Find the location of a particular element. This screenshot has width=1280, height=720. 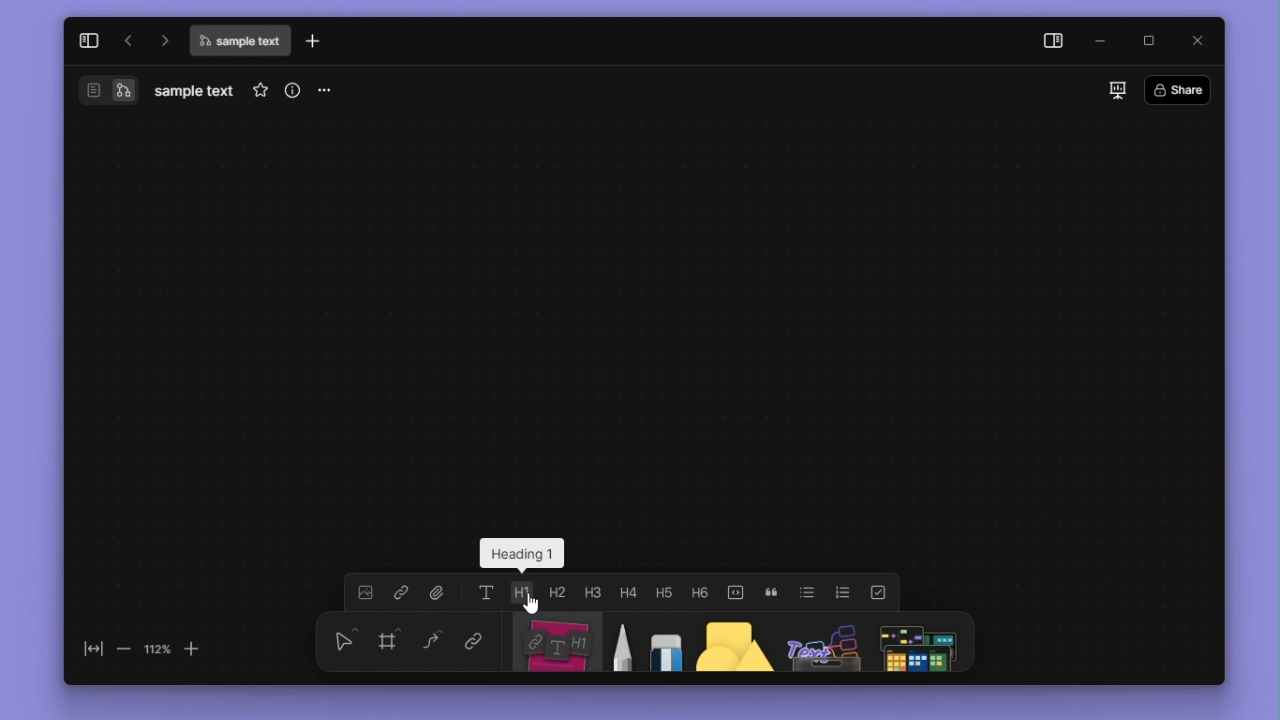

Heading 3 is located at coordinates (592, 592).